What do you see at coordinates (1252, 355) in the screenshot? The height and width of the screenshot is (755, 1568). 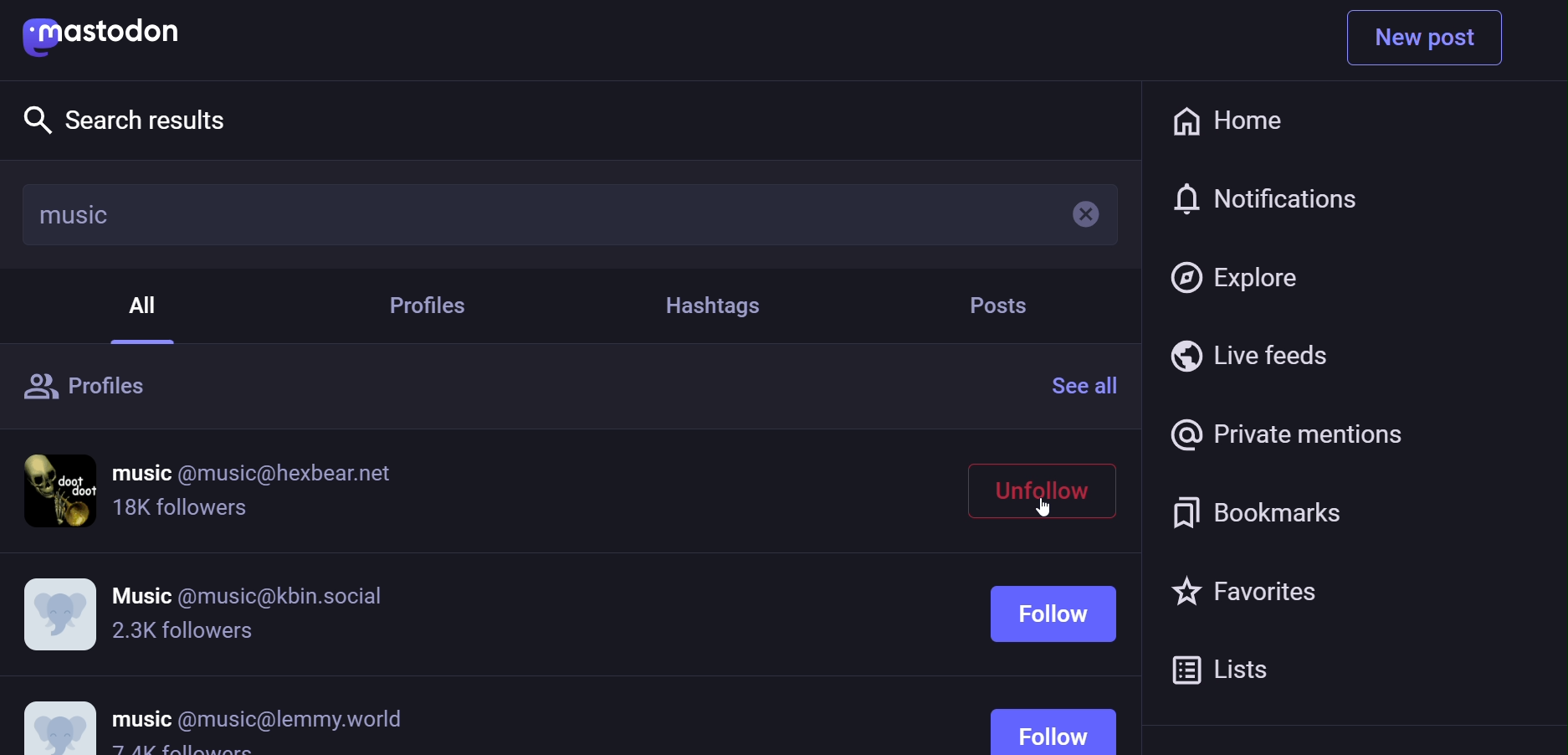 I see `live feed` at bounding box center [1252, 355].